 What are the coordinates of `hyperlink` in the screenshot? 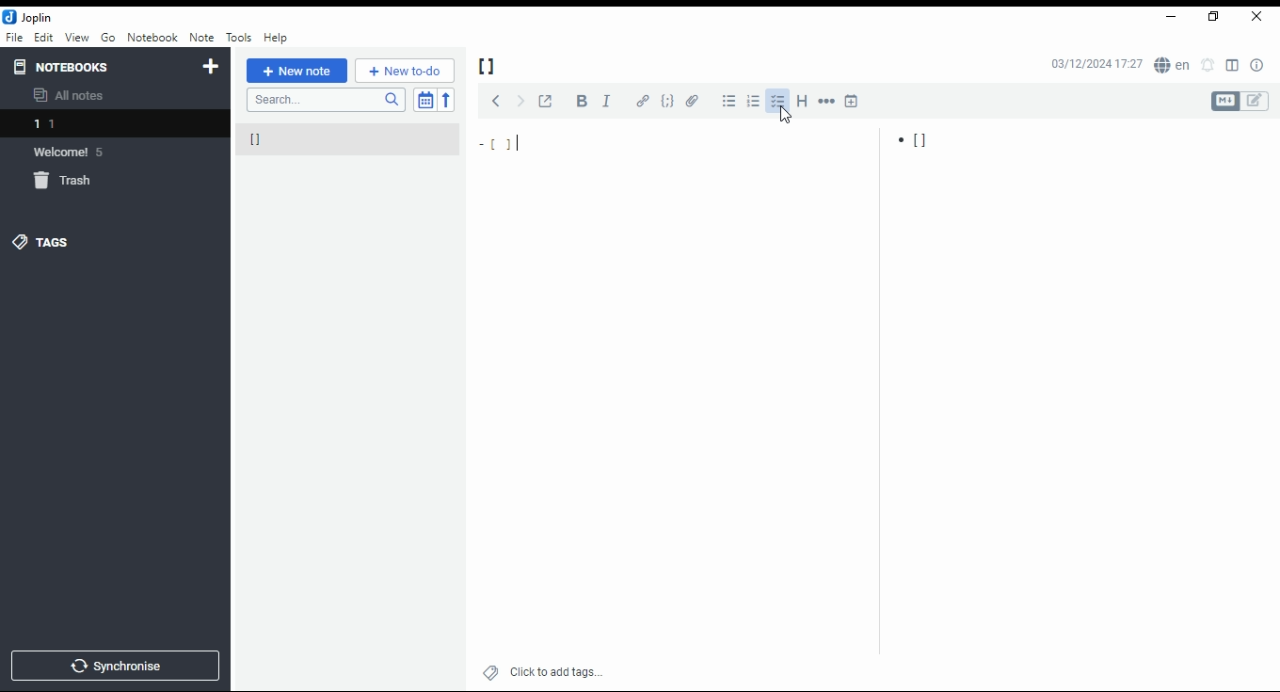 It's located at (642, 101).